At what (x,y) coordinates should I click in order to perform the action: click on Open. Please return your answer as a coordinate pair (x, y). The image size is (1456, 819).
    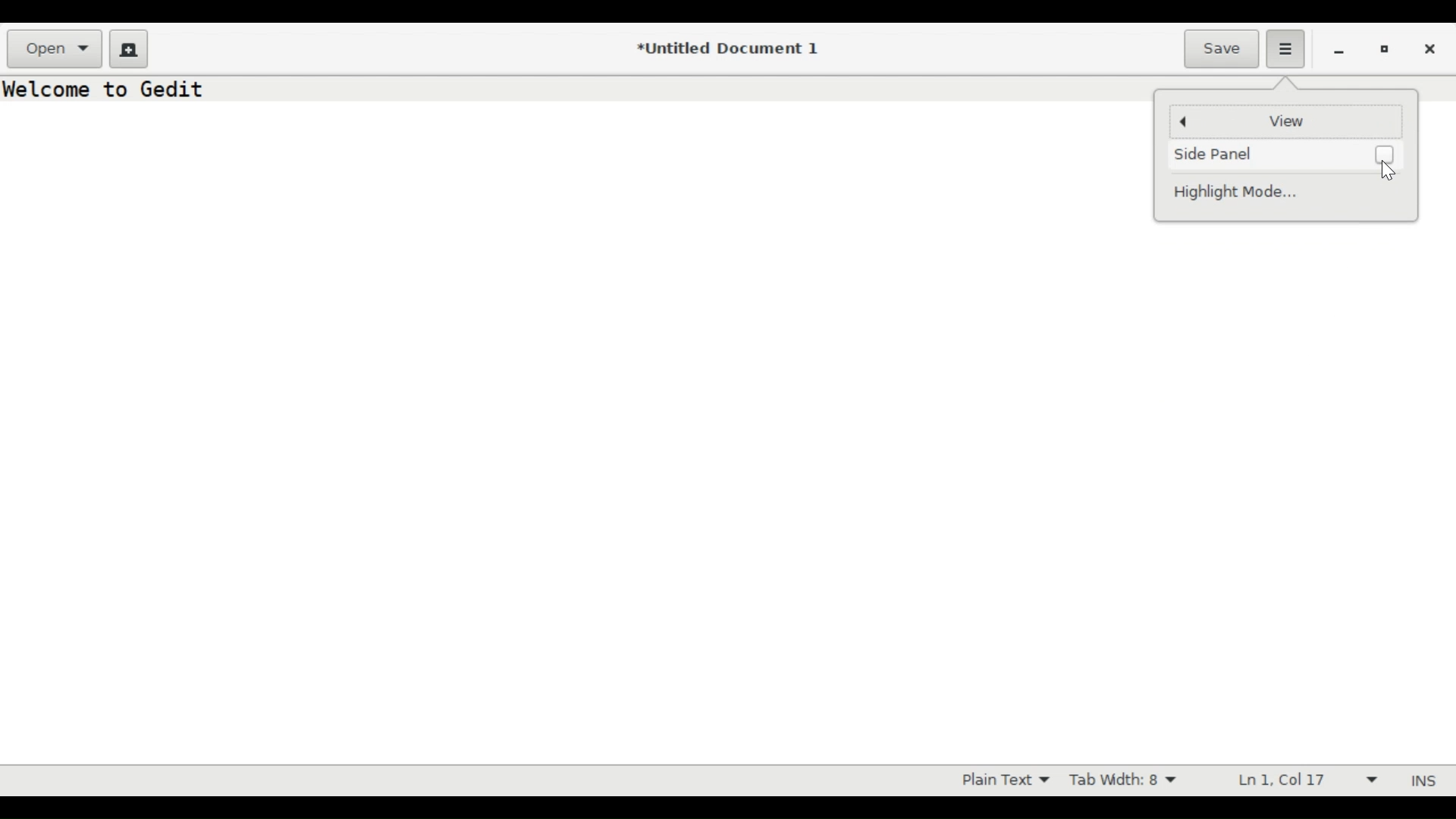
    Looking at the image, I should click on (56, 49).